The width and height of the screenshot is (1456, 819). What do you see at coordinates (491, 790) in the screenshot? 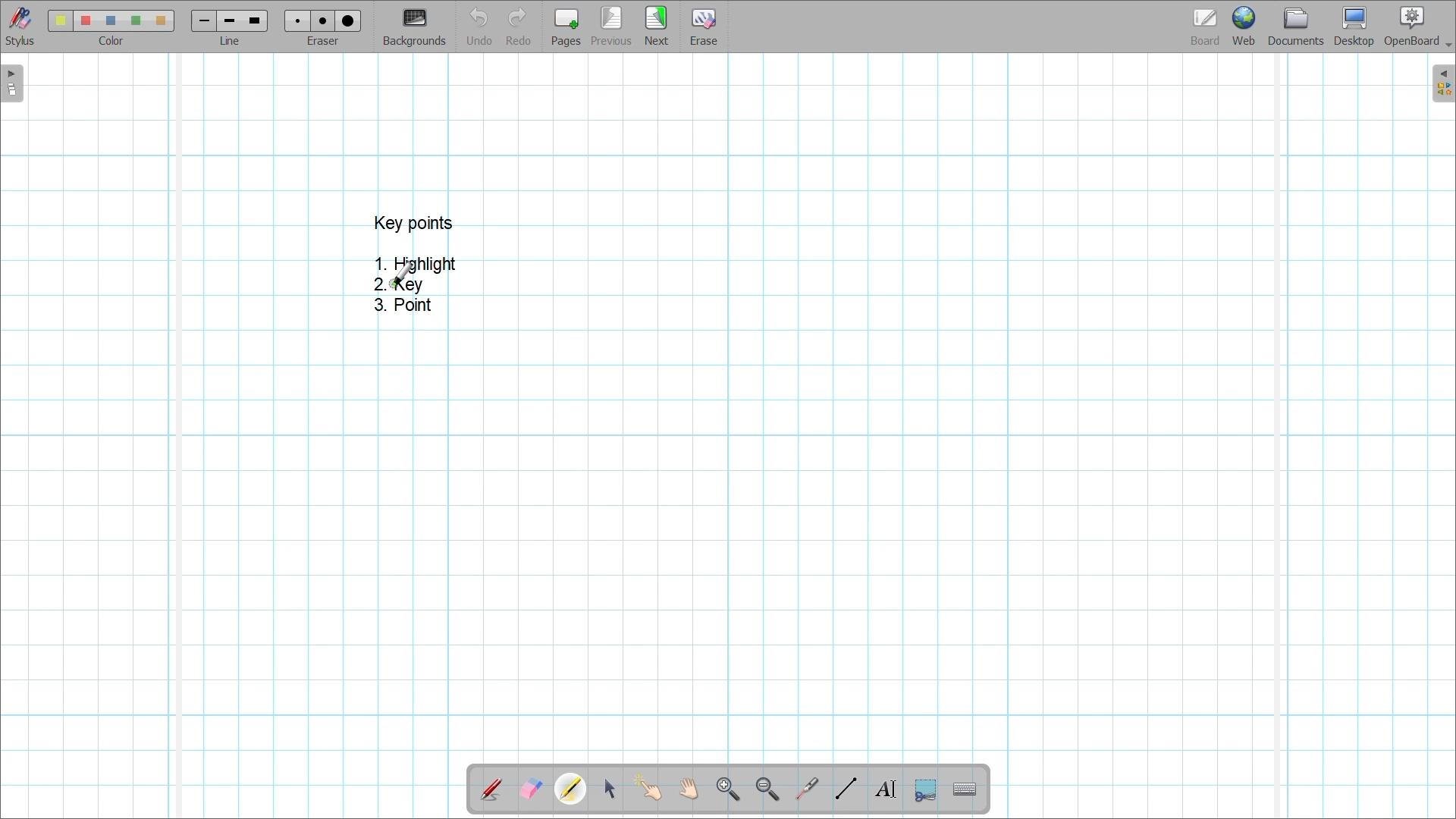
I see `Annotate document` at bounding box center [491, 790].